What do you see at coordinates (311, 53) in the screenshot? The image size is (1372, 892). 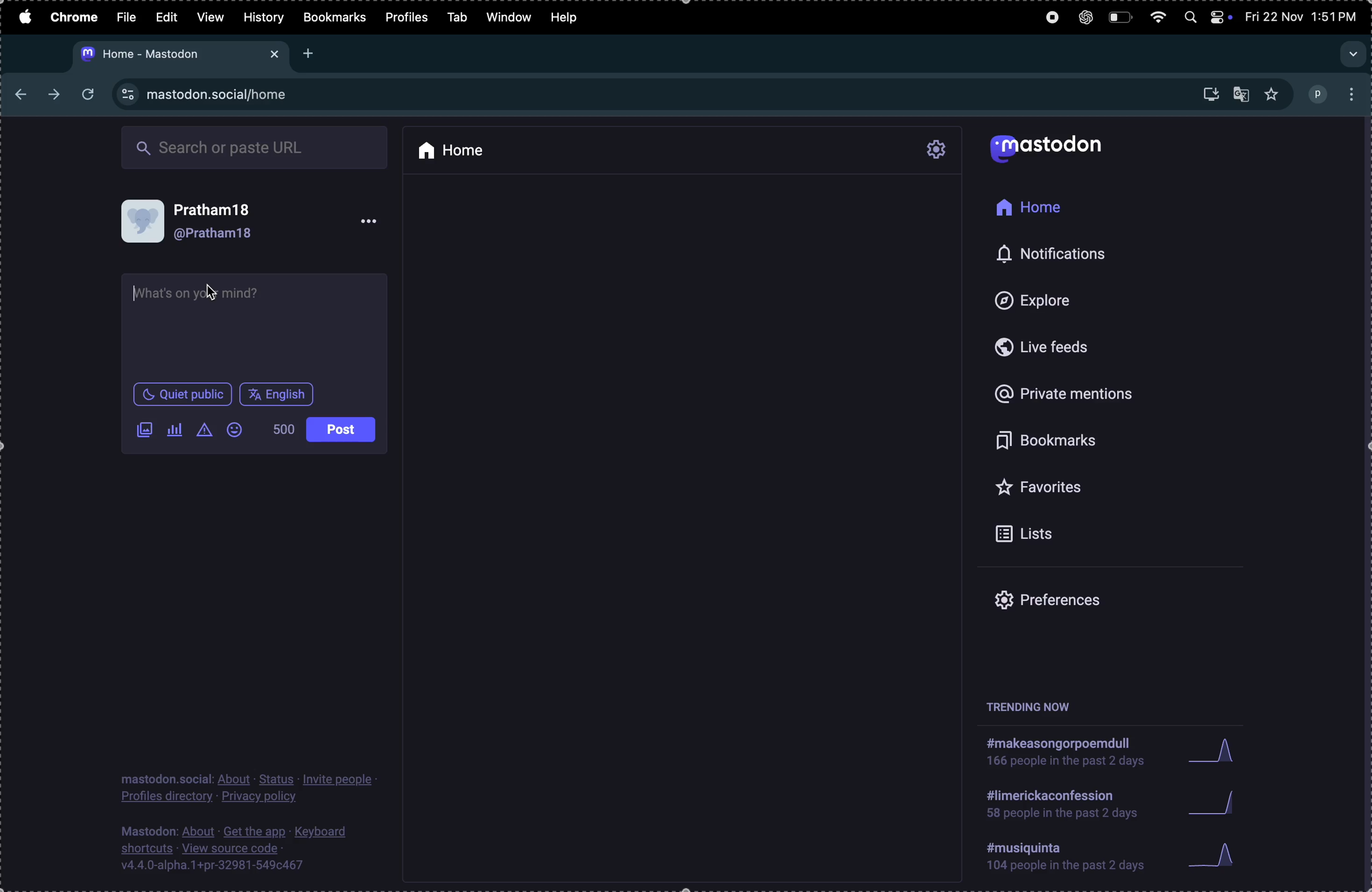 I see `add new tab` at bounding box center [311, 53].